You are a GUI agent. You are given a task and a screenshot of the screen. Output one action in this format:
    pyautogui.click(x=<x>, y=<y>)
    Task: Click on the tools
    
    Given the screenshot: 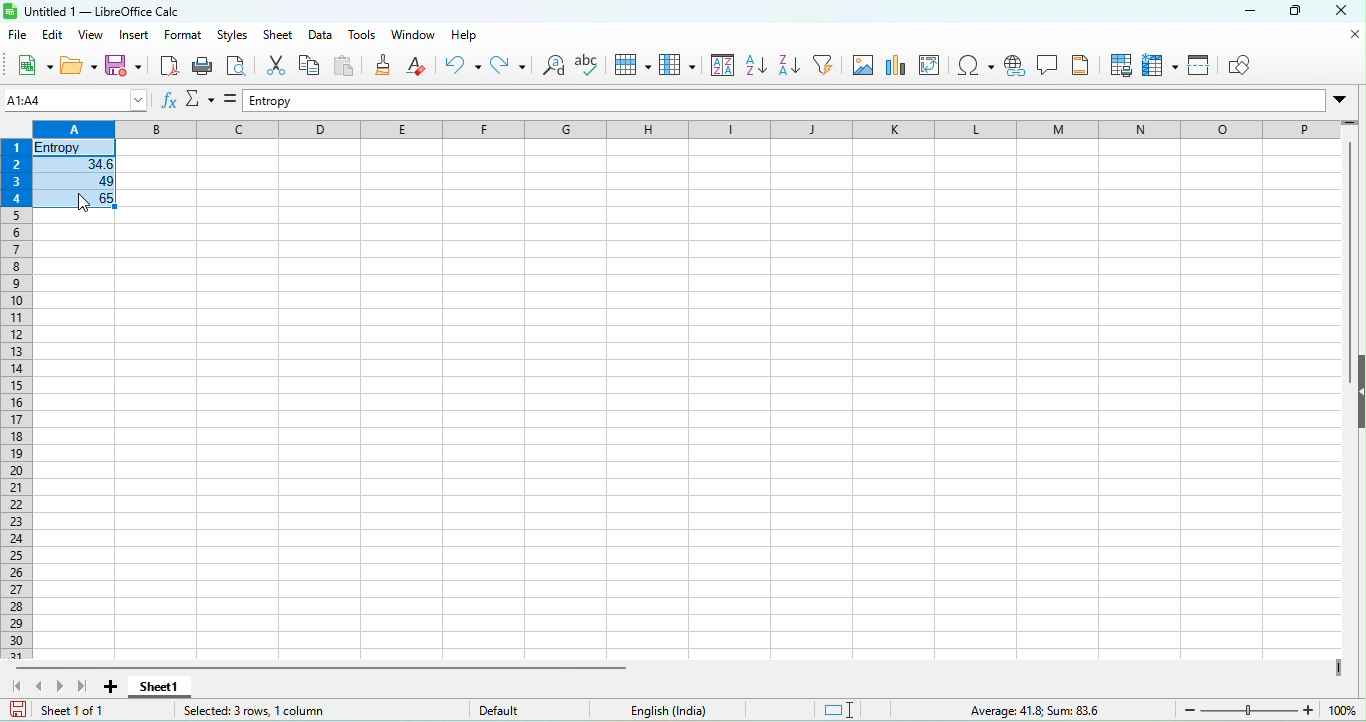 What is the action you would take?
    pyautogui.click(x=368, y=35)
    